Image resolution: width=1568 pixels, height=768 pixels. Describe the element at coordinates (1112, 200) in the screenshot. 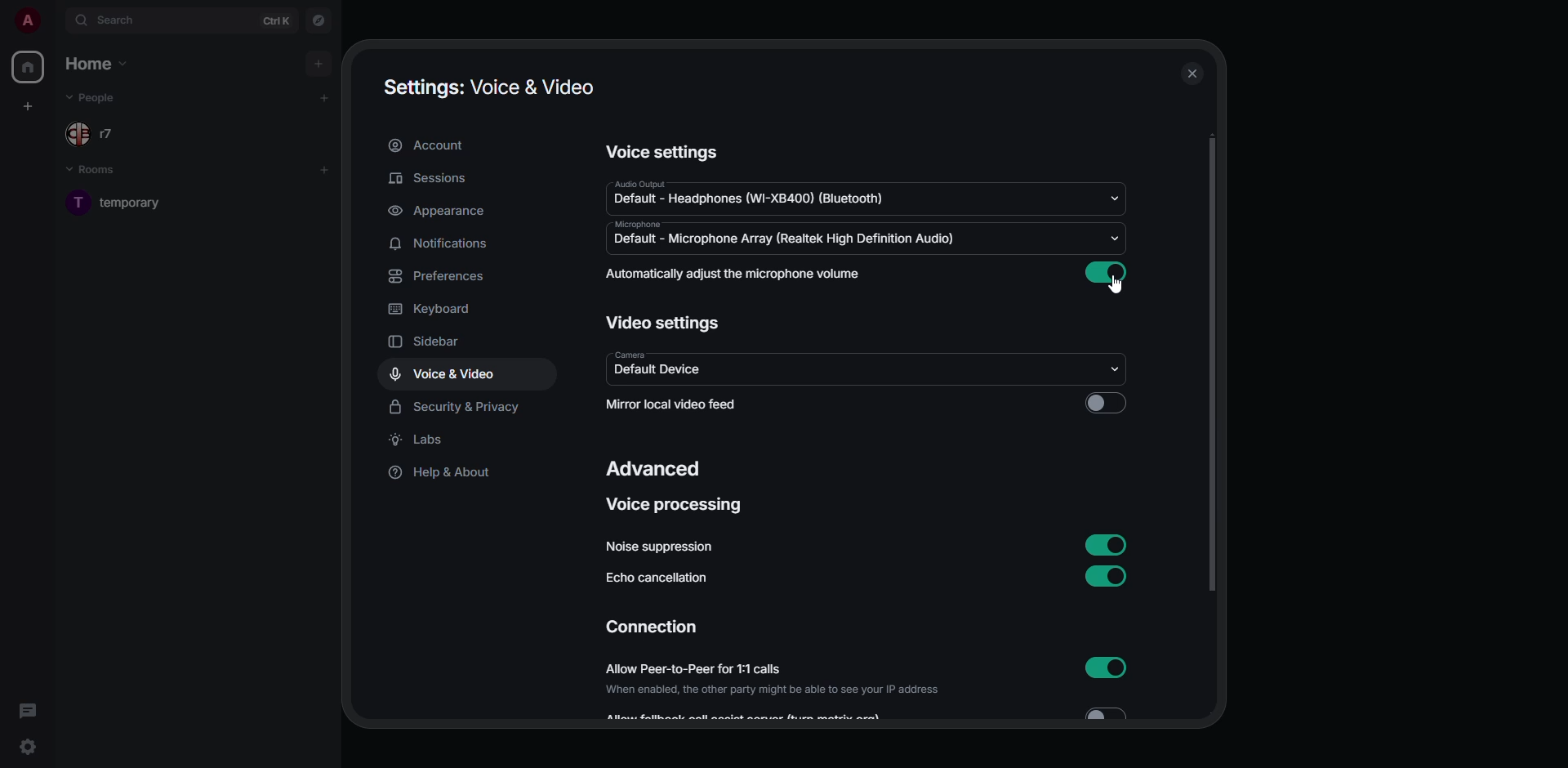

I see `drop down` at that location.